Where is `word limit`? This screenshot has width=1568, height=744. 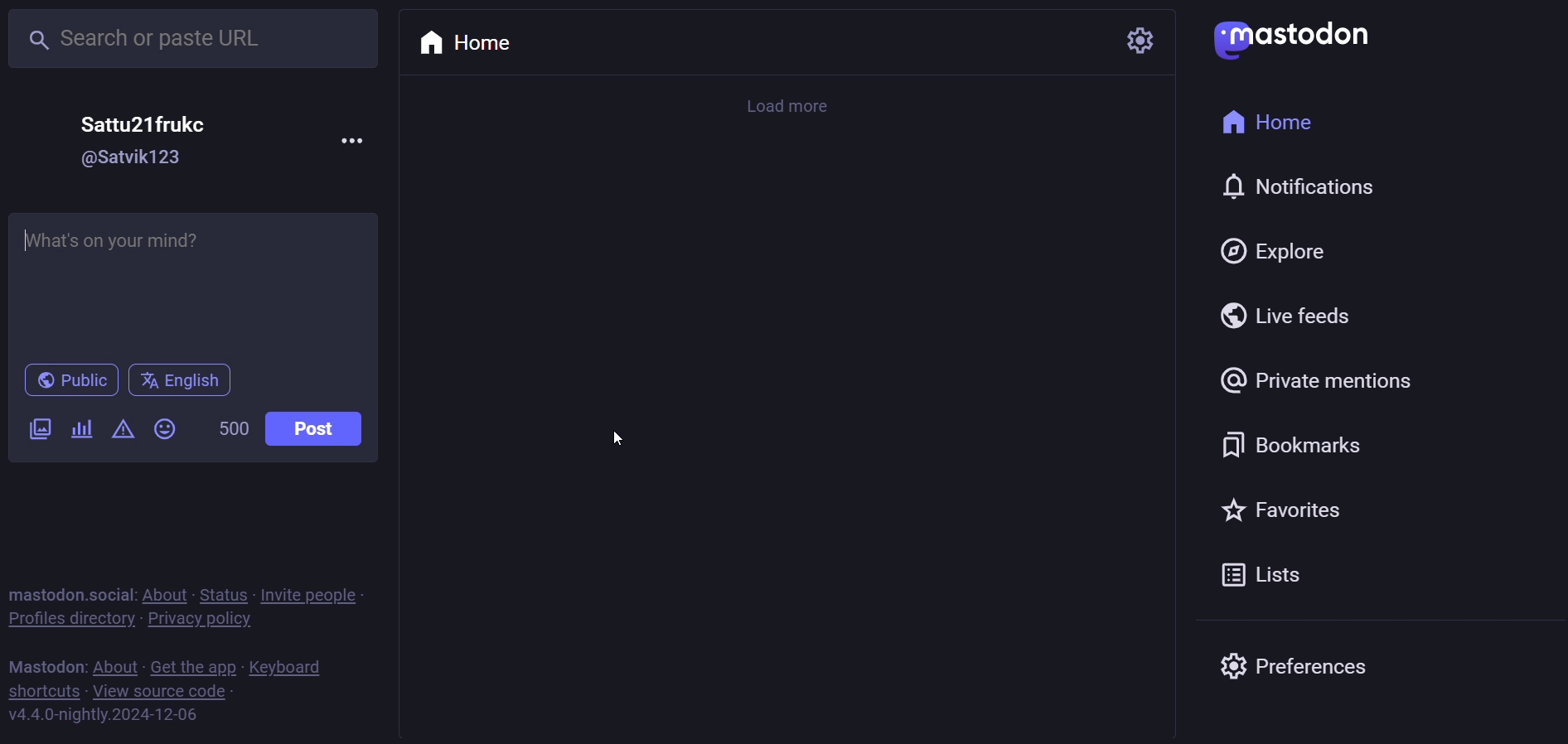
word limit is located at coordinates (231, 431).